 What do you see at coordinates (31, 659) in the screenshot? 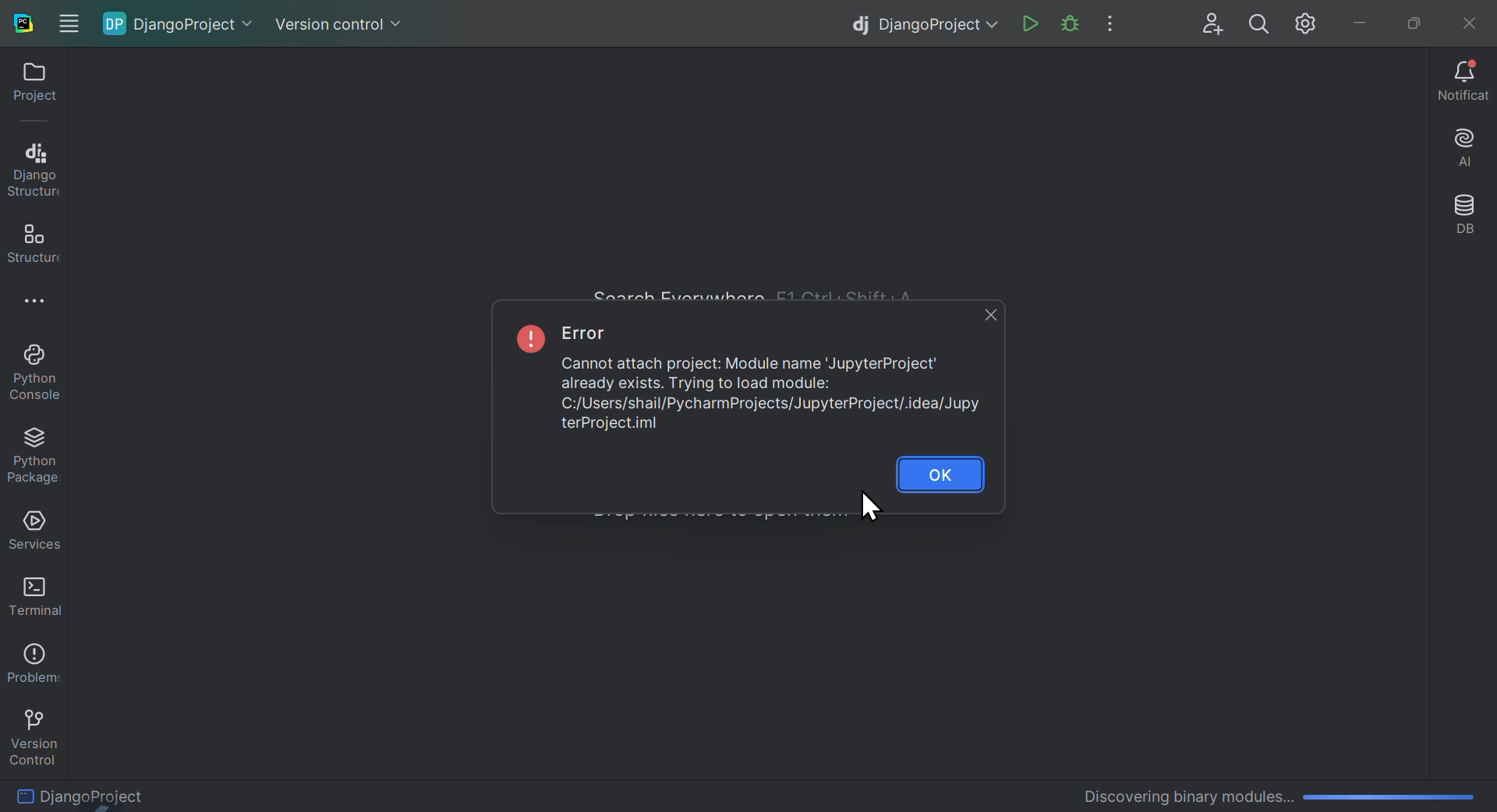
I see `Problems` at bounding box center [31, 659].